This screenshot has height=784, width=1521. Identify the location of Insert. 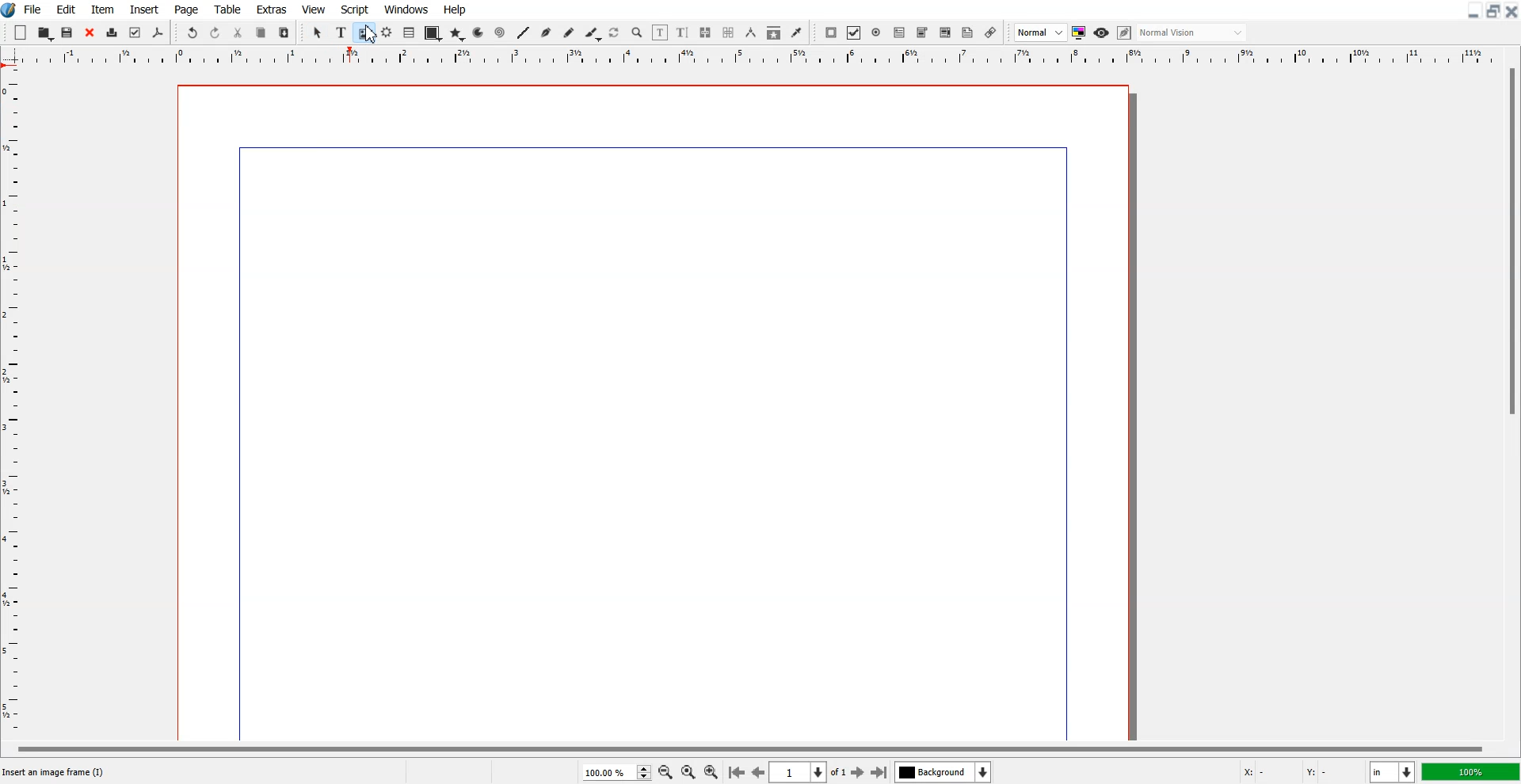
(143, 9).